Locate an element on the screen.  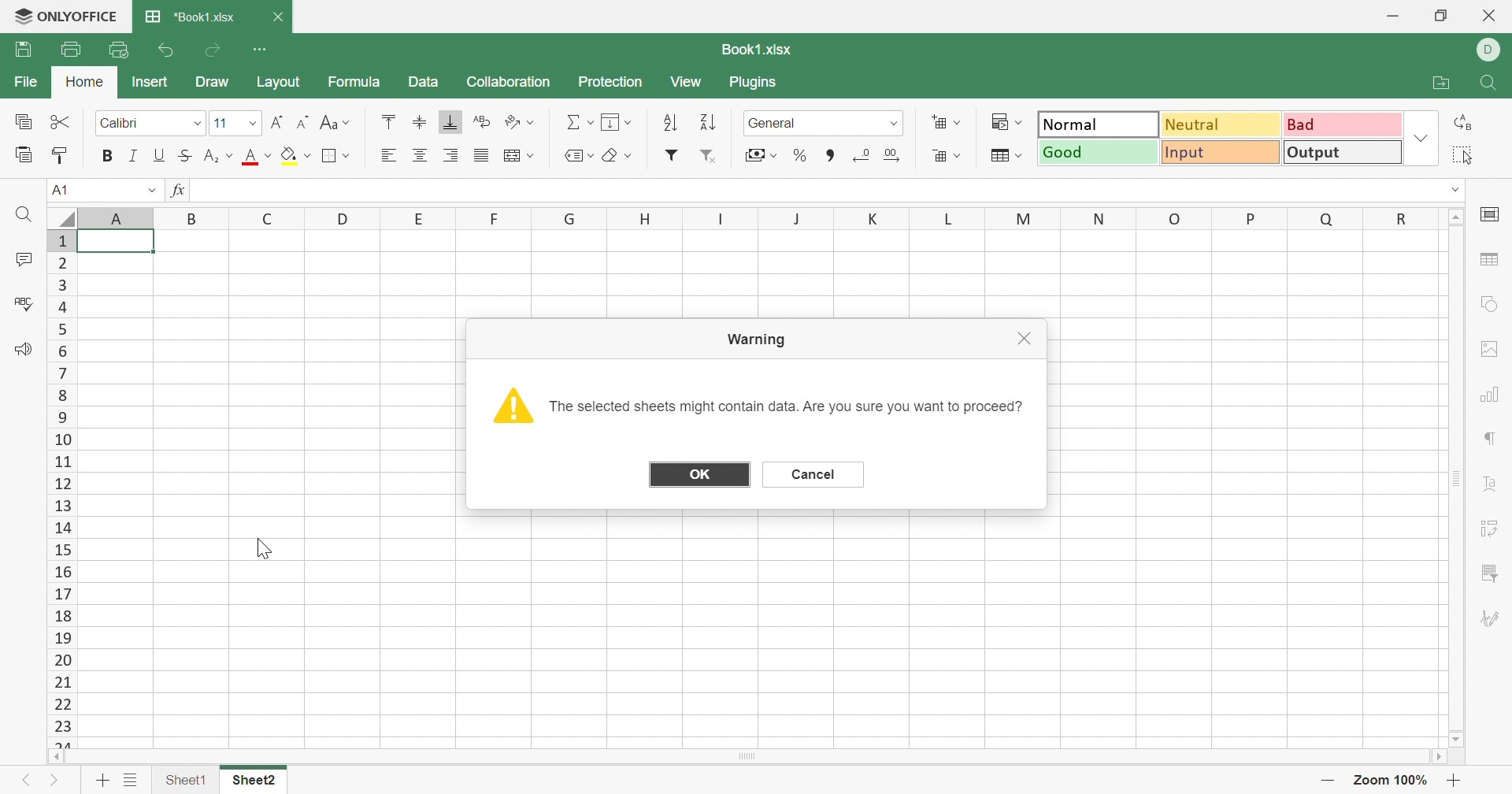
Drop Down is located at coordinates (1458, 187).